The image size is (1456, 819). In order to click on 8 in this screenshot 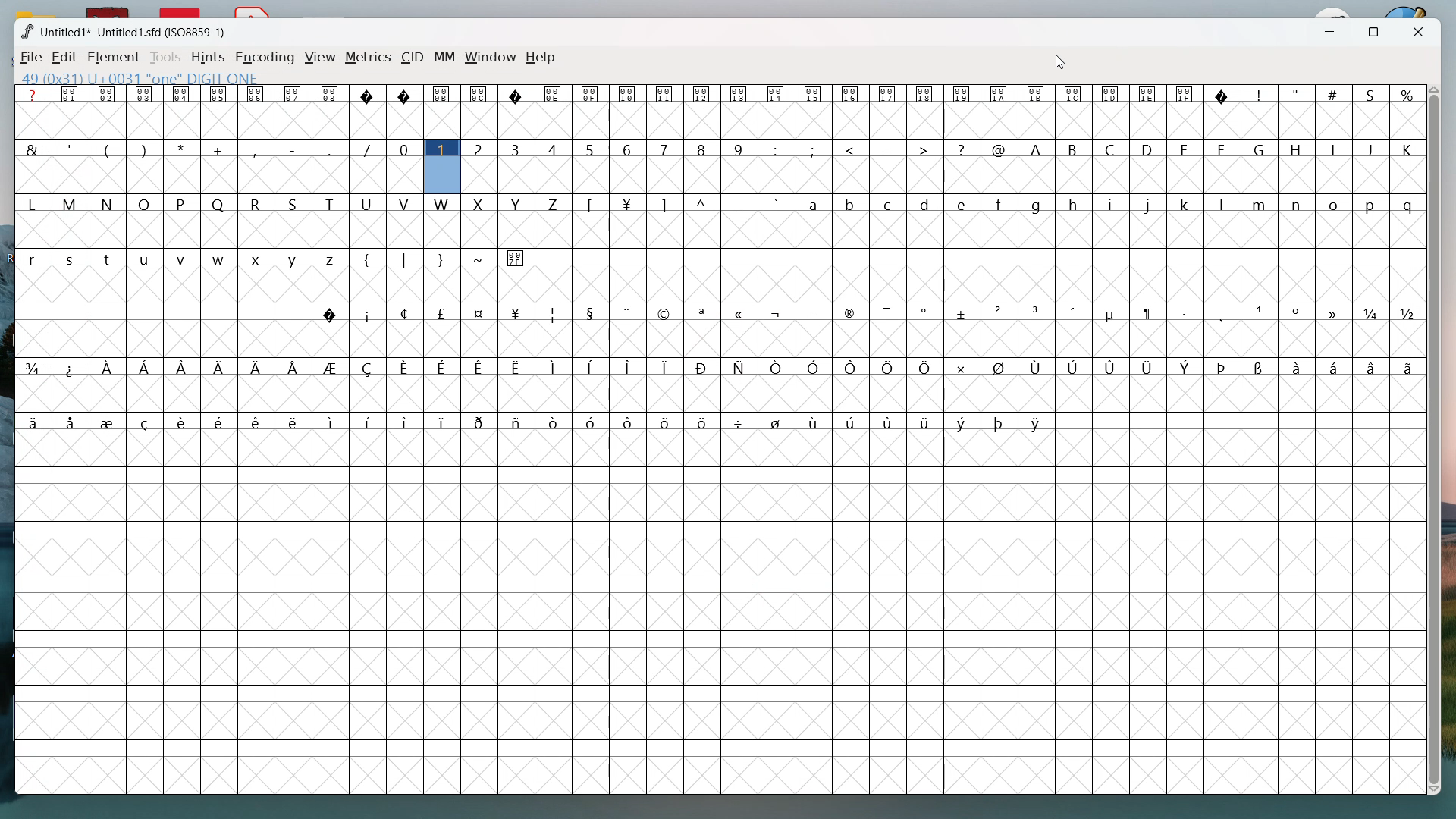, I will do `click(703, 149)`.